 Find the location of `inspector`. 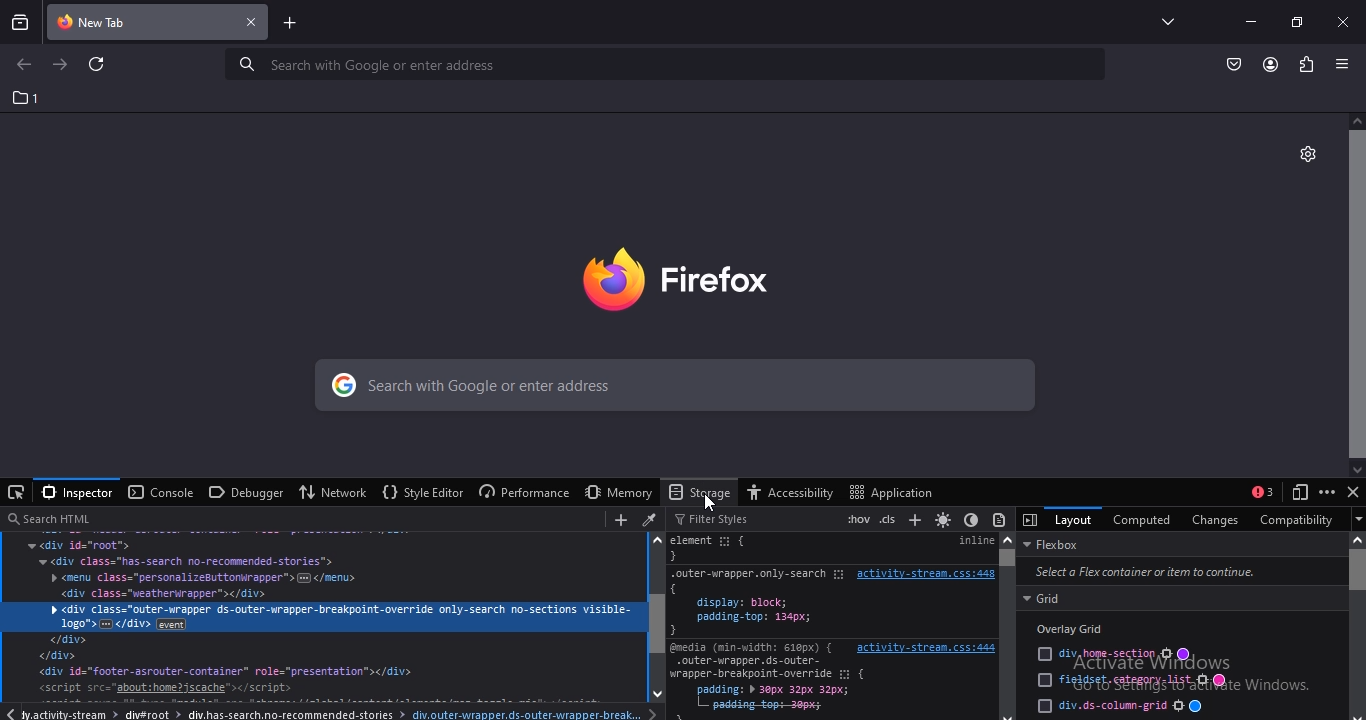

inspector is located at coordinates (76, 492).